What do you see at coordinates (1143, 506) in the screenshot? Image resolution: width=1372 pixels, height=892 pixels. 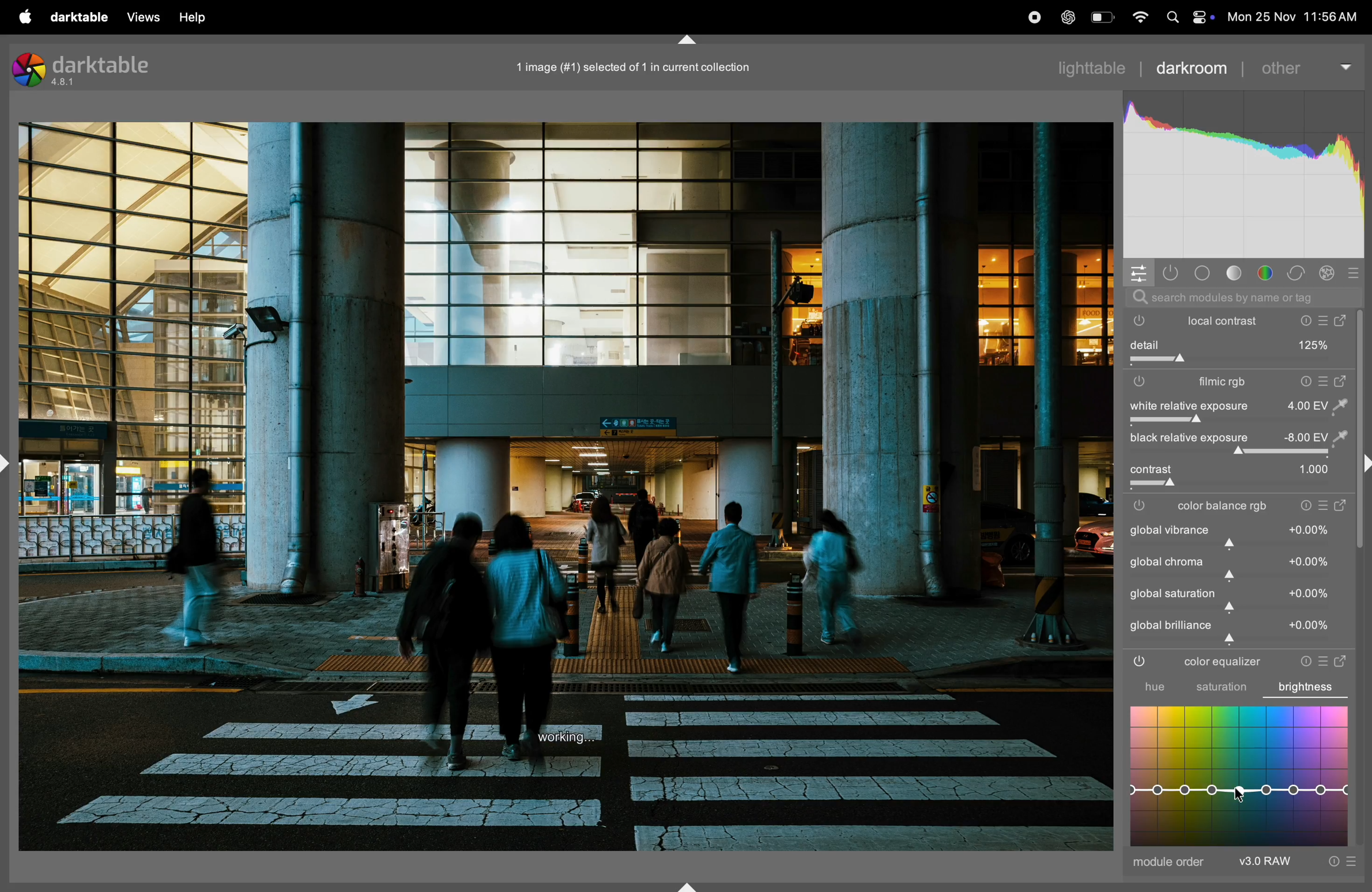 I see `filmic rgb switch off` at bounding box center [1143, 506].